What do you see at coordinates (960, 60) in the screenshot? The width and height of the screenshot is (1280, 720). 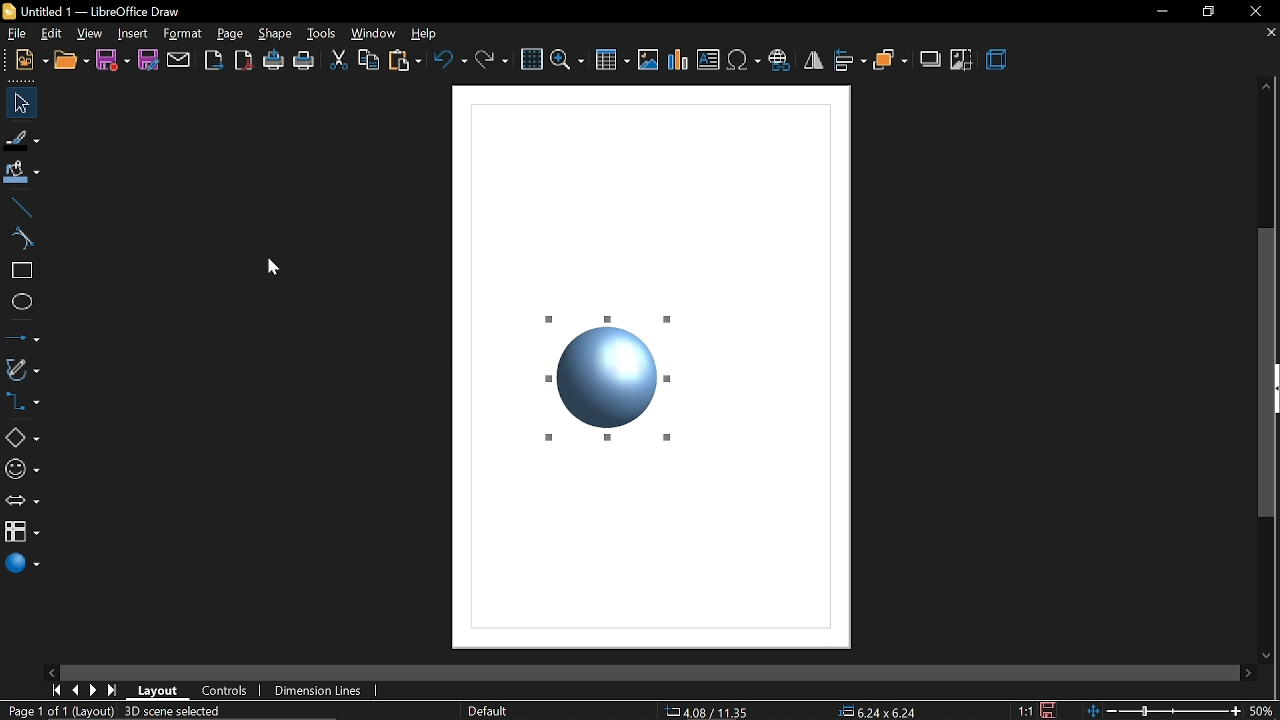 I see `crop` at bounding box center [960, 60].